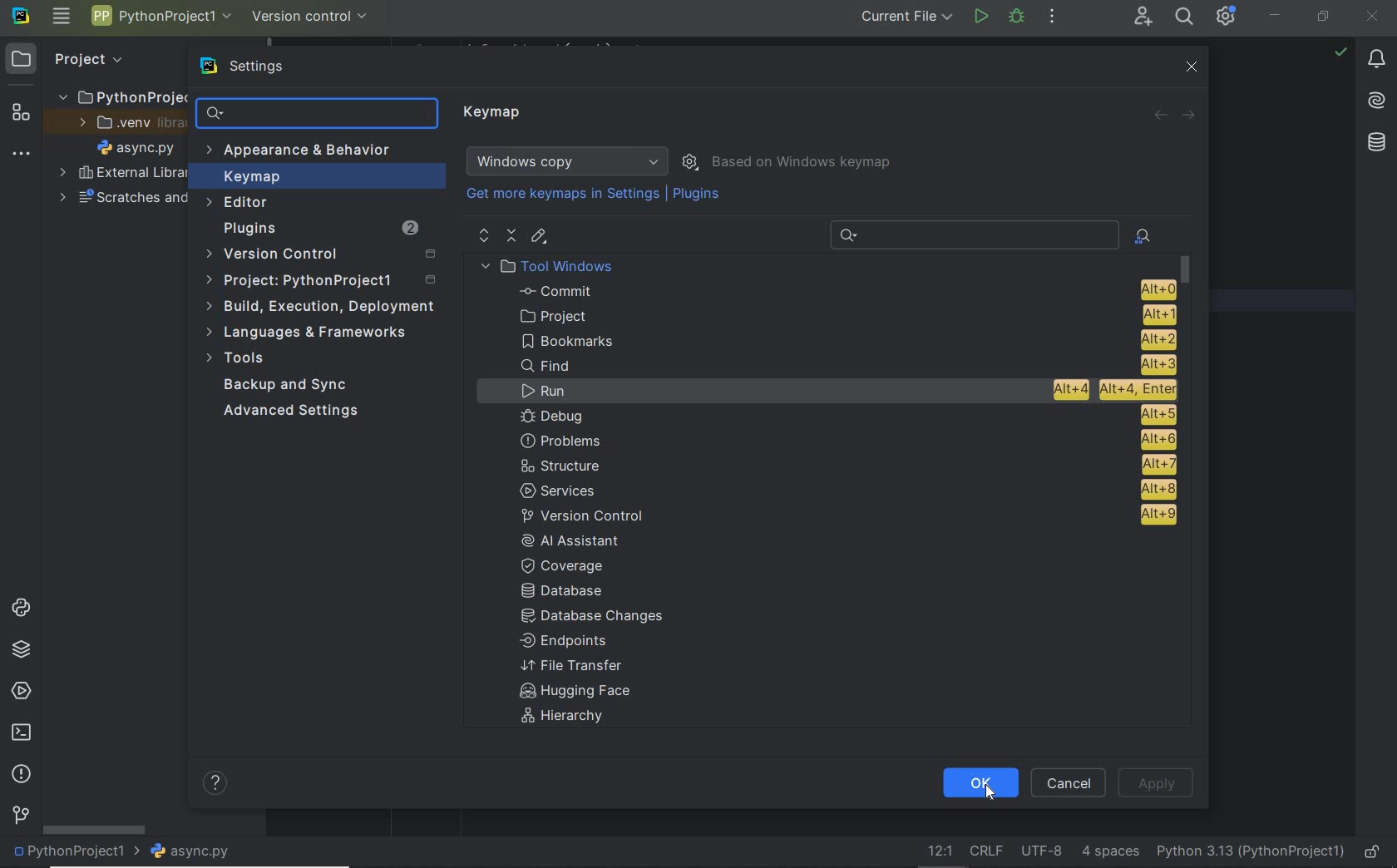 This screenshot has width=1397, height=868. I want to click on Cursor Position, so click(987, 791).